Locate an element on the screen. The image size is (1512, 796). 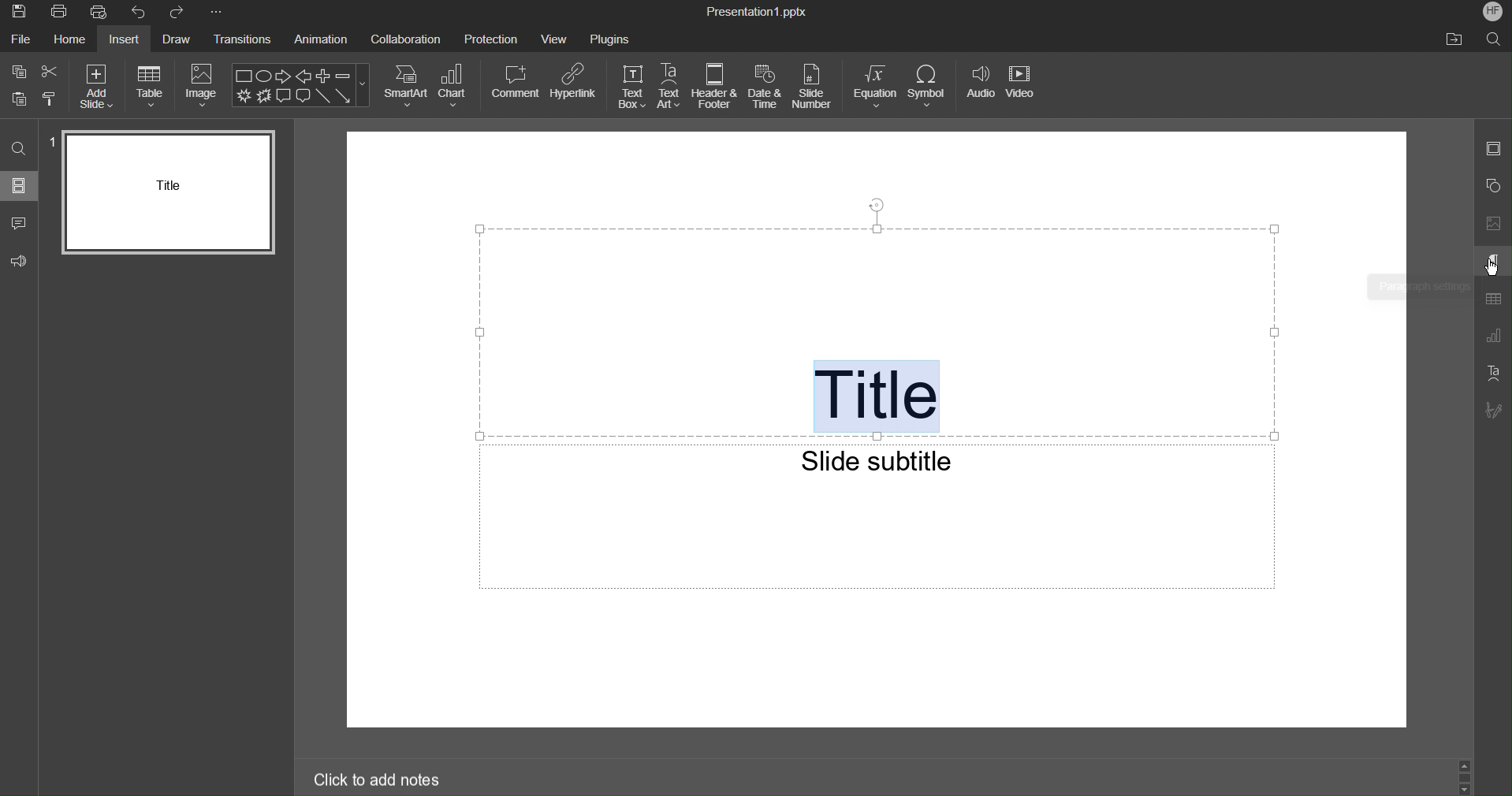
Table is located at coordinates (151, 84).